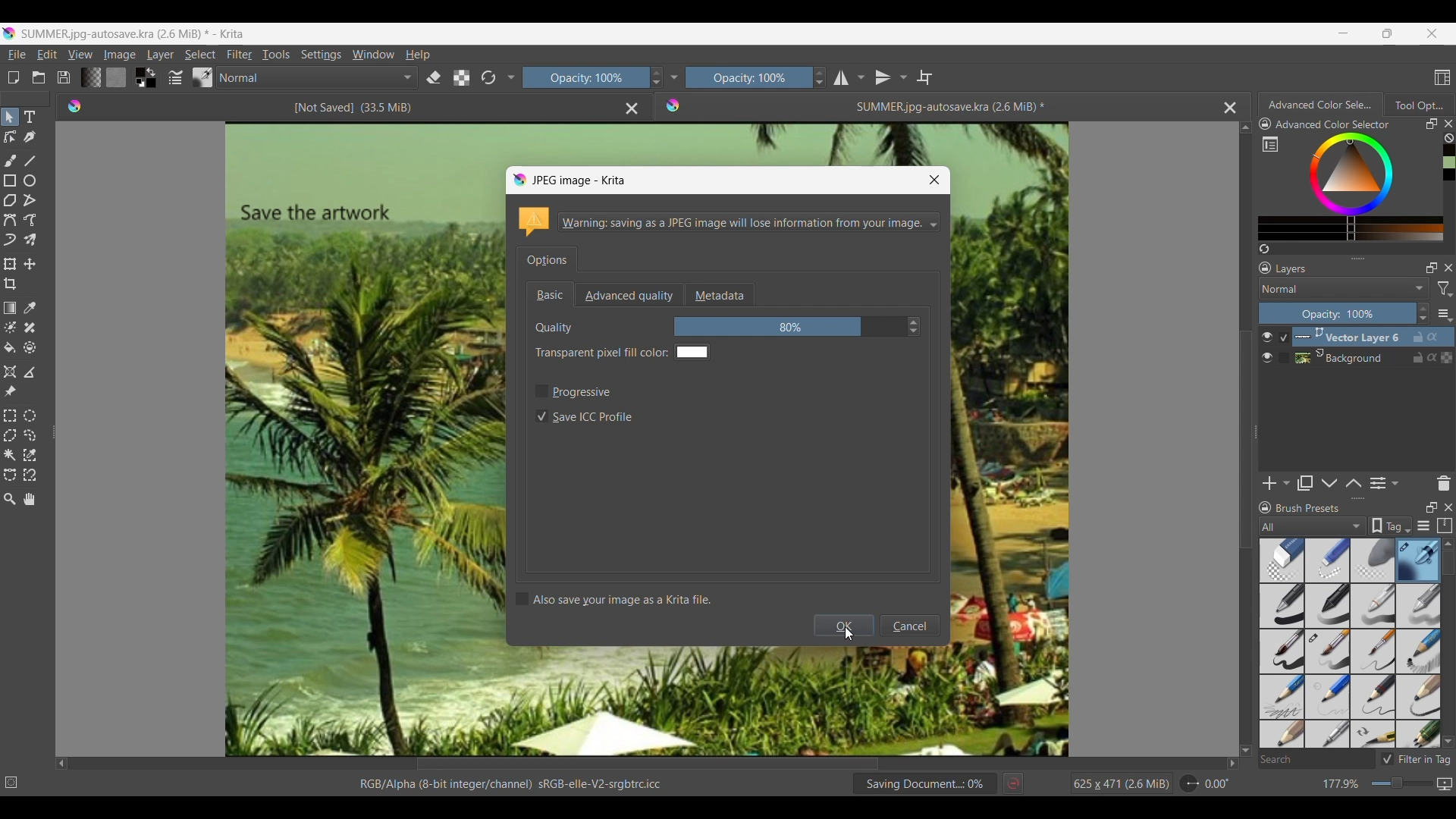 Image resolution: width=1456 pixels, height=819 pixels. Describe the element at coordinates (30, 328) in the screenshot. I see `Smart patch tool` at that location.